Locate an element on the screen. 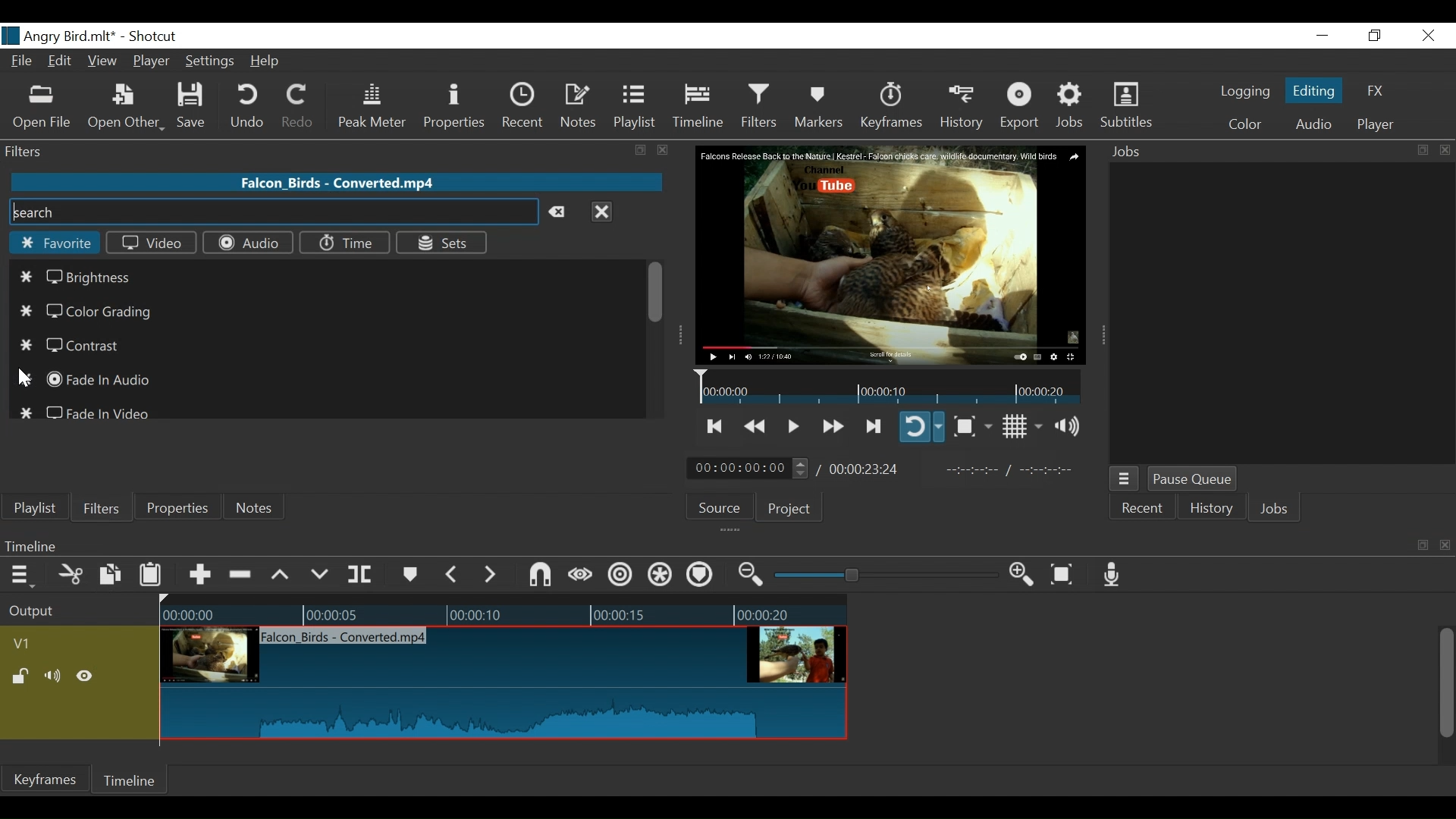  Vertical Scroll bar is located at coordinates (1445, 685).